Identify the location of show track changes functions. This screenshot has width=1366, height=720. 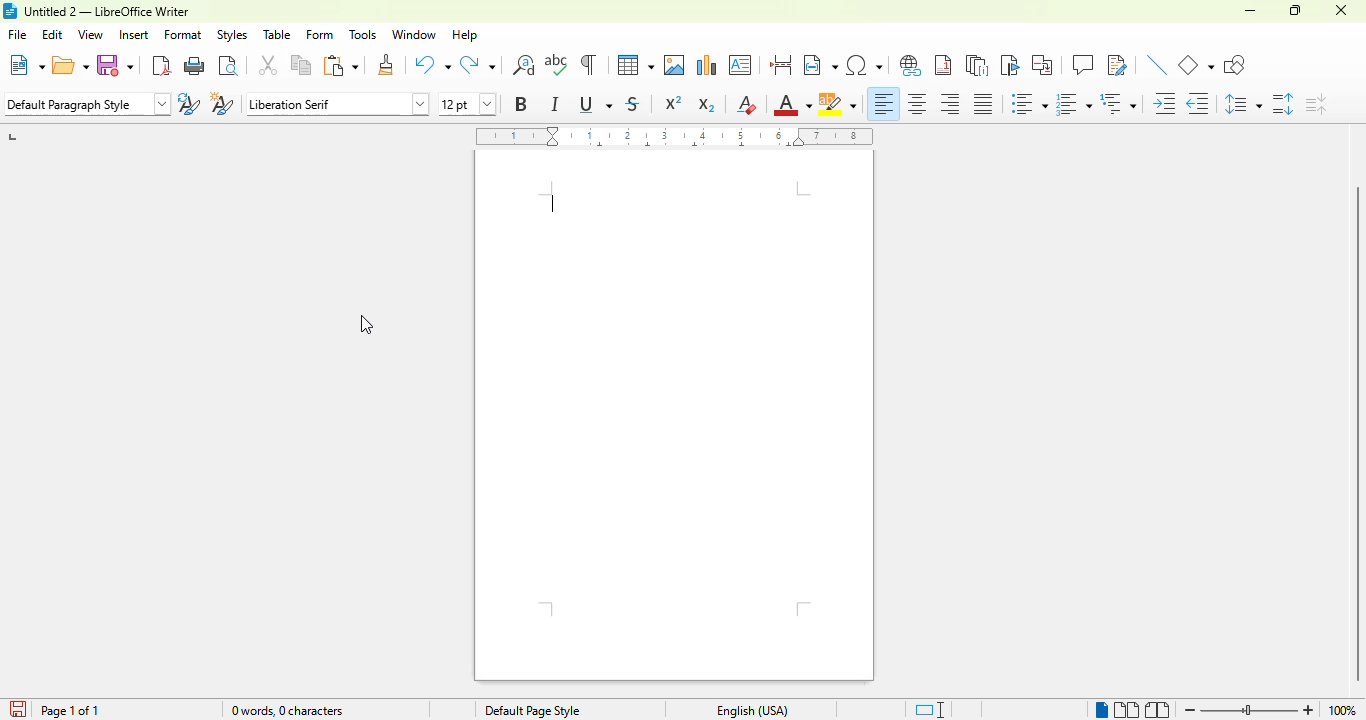
(1117, 65).